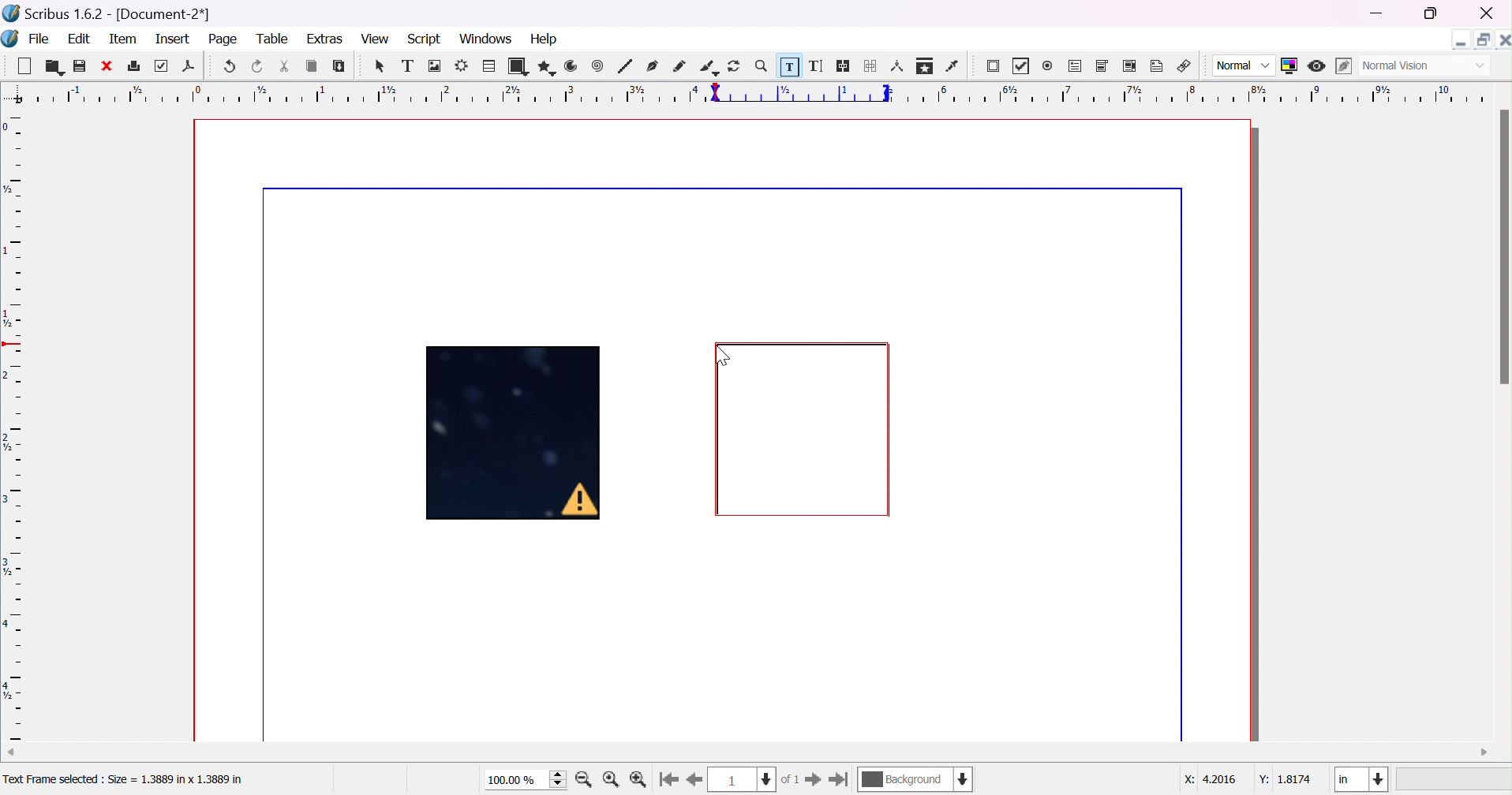  Describe the element at coordinates (1480, 36) in the screenshot. I see `restore down` at that location.